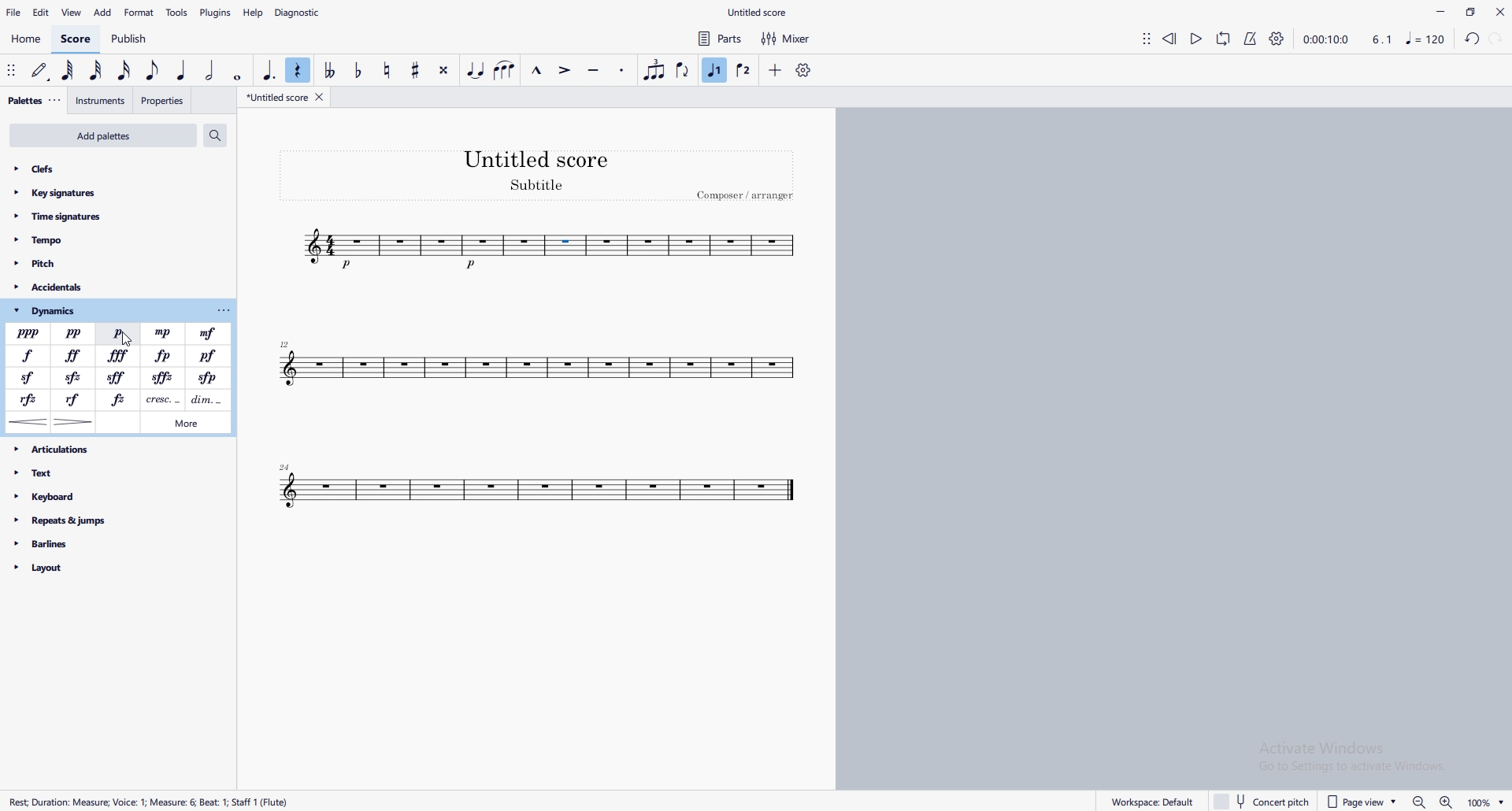 Image resolution: width=1512 pixels, height=811 pixels. Describe the element at coordinates (1326, 38) in the screenshot. I see `time` at that location.